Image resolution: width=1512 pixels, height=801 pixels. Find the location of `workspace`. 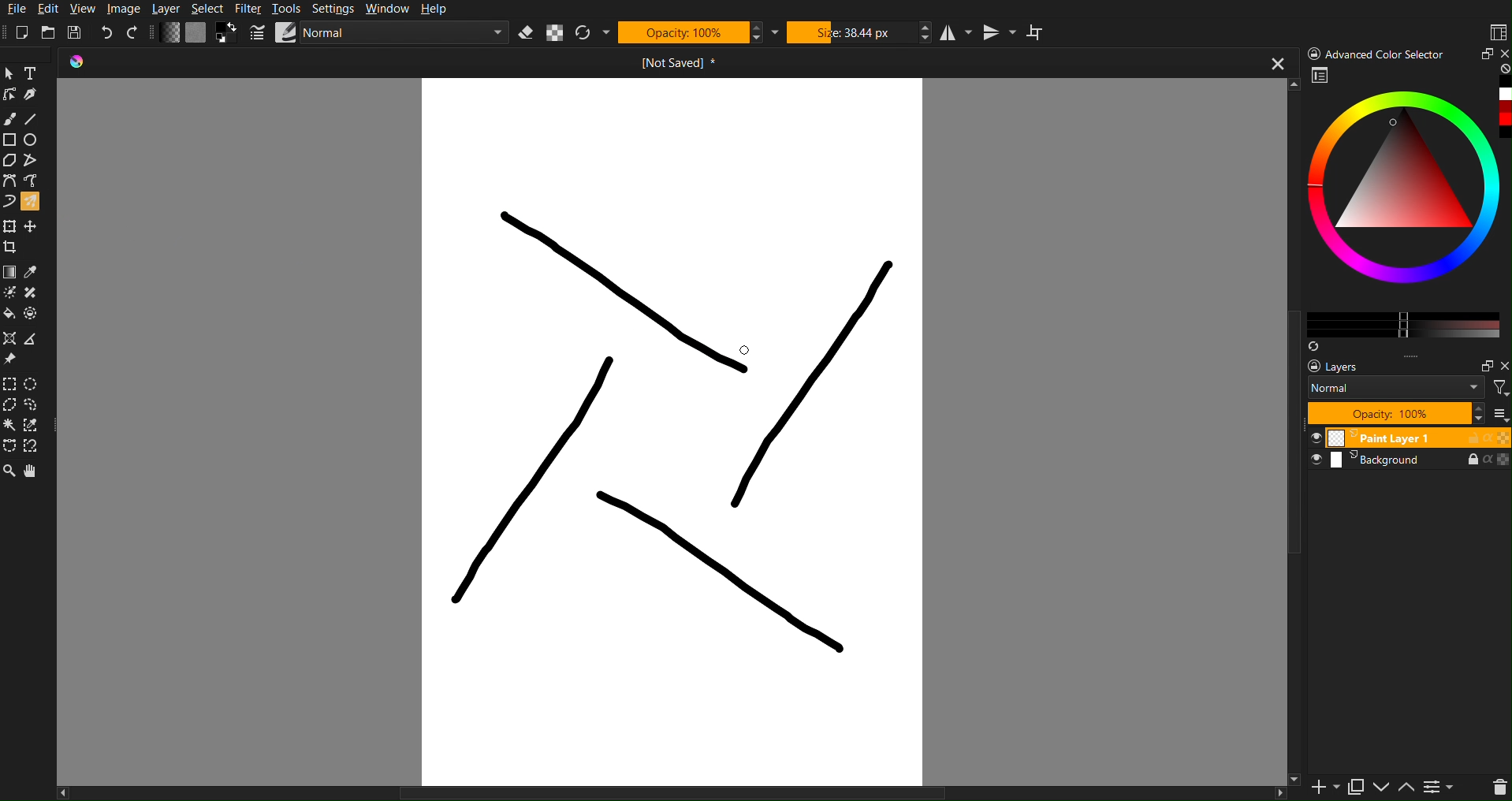

workspace is located at coordinates (1321, 77).